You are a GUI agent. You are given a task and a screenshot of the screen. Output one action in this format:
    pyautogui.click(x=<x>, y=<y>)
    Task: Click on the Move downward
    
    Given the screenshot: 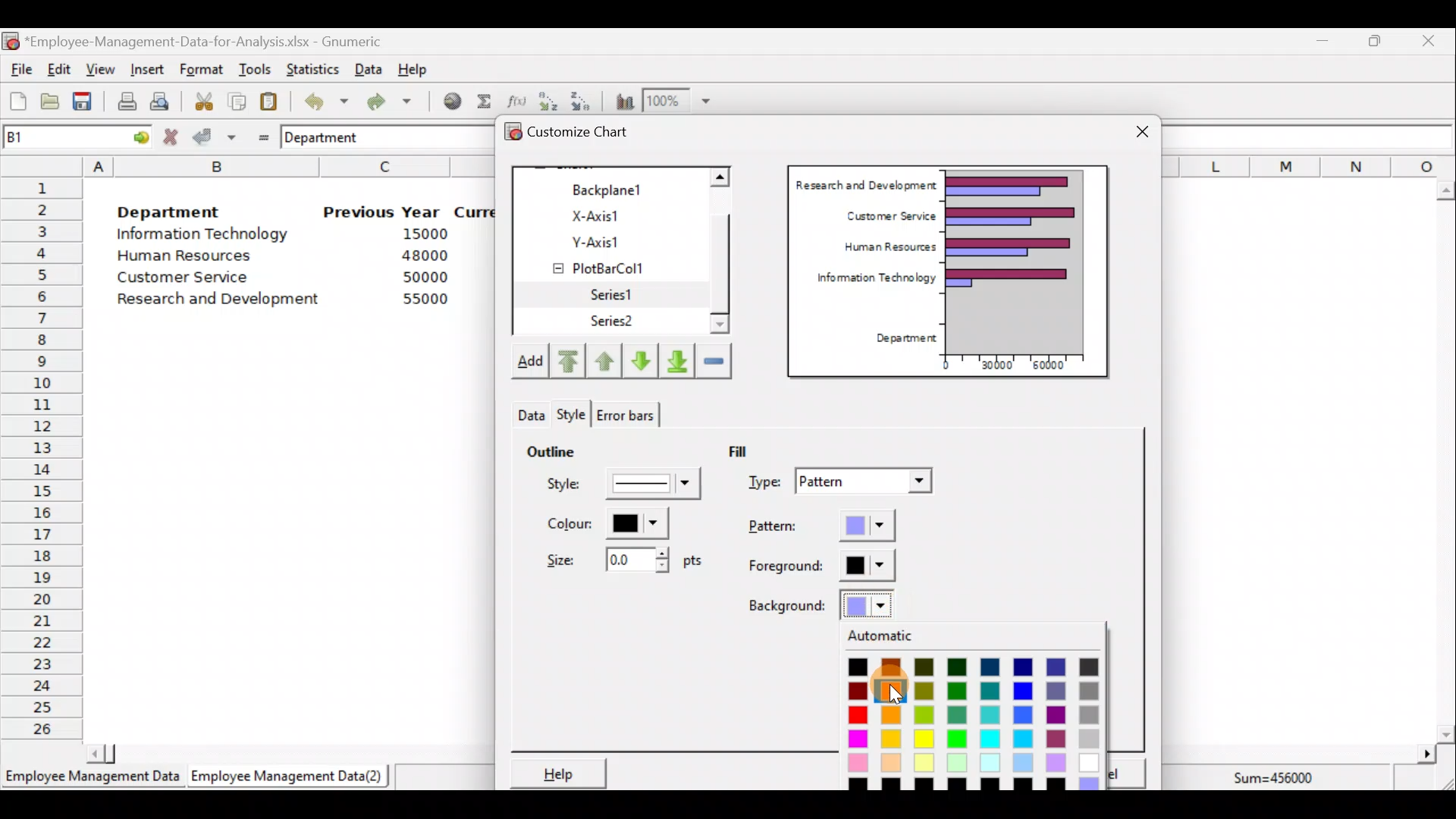 What is the action you would take?
    pyautogui.click(x=678, y=359)
    